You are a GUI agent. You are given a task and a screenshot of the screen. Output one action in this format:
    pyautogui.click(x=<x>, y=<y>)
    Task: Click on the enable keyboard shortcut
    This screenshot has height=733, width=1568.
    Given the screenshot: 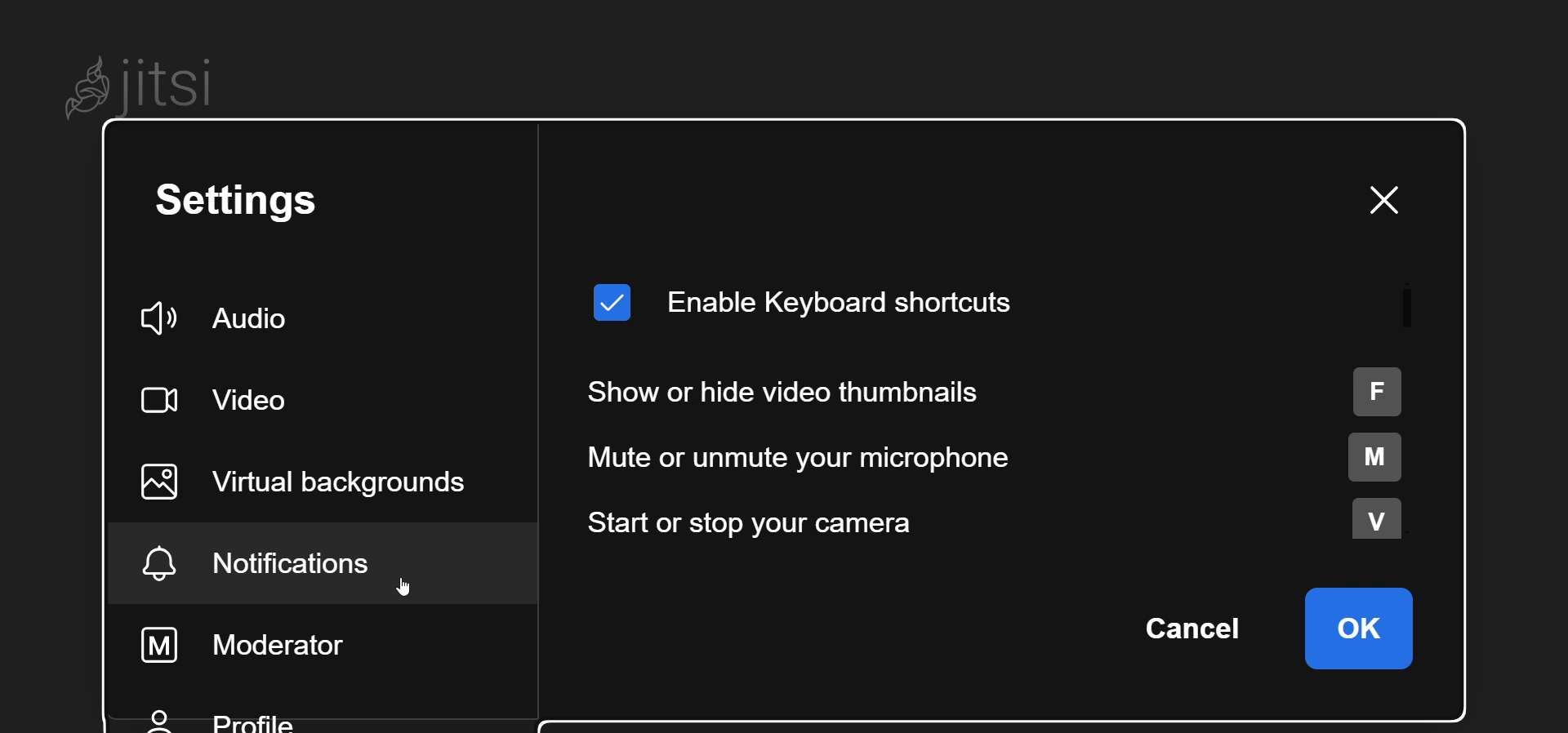 What is the action you would take?
    pyautogui.click(x=824, y=308)
    